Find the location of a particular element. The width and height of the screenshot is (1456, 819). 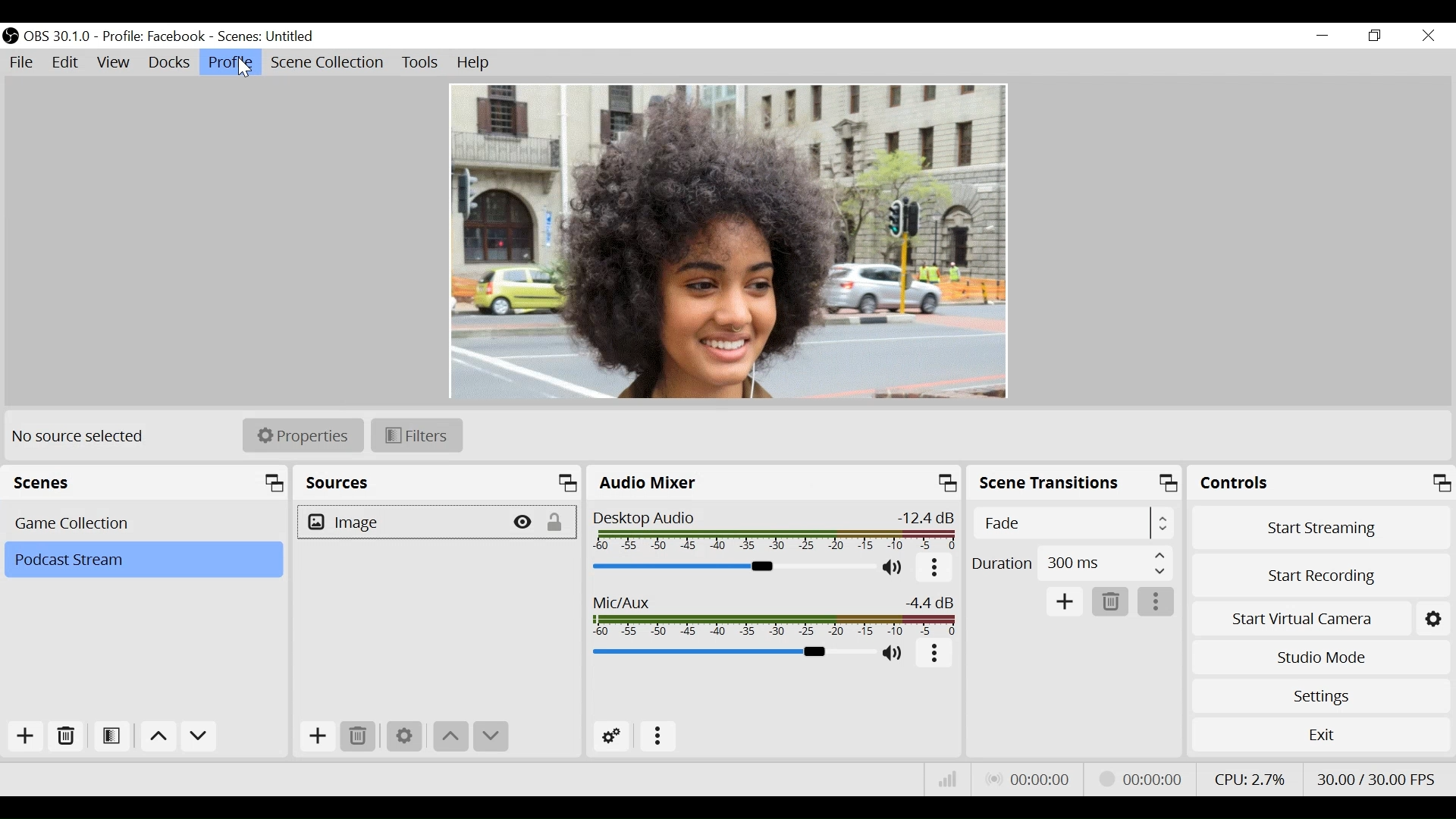

Move down is located at coordinates (201, 736).